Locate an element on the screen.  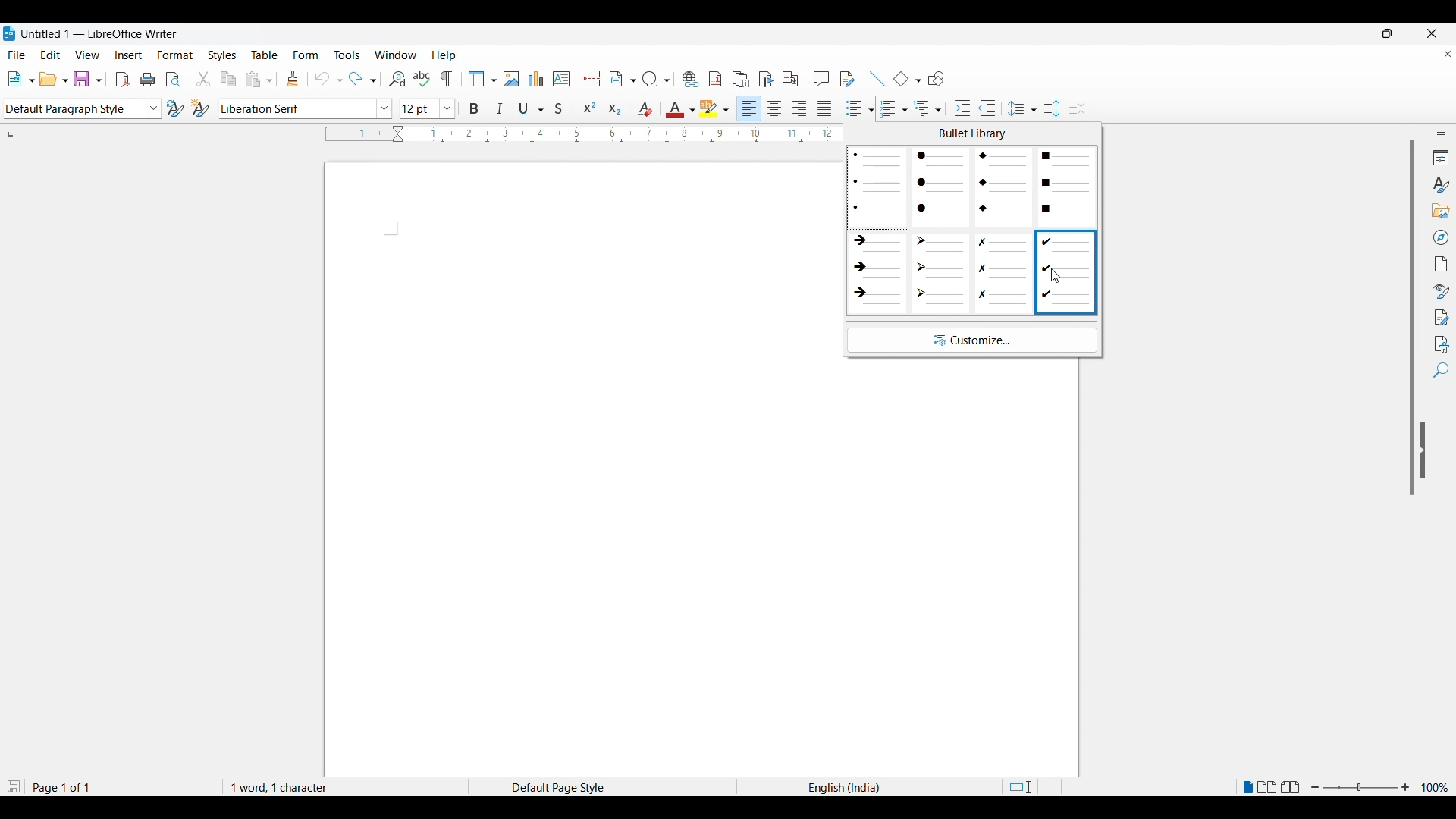
print is located at coordinates (149, 79).